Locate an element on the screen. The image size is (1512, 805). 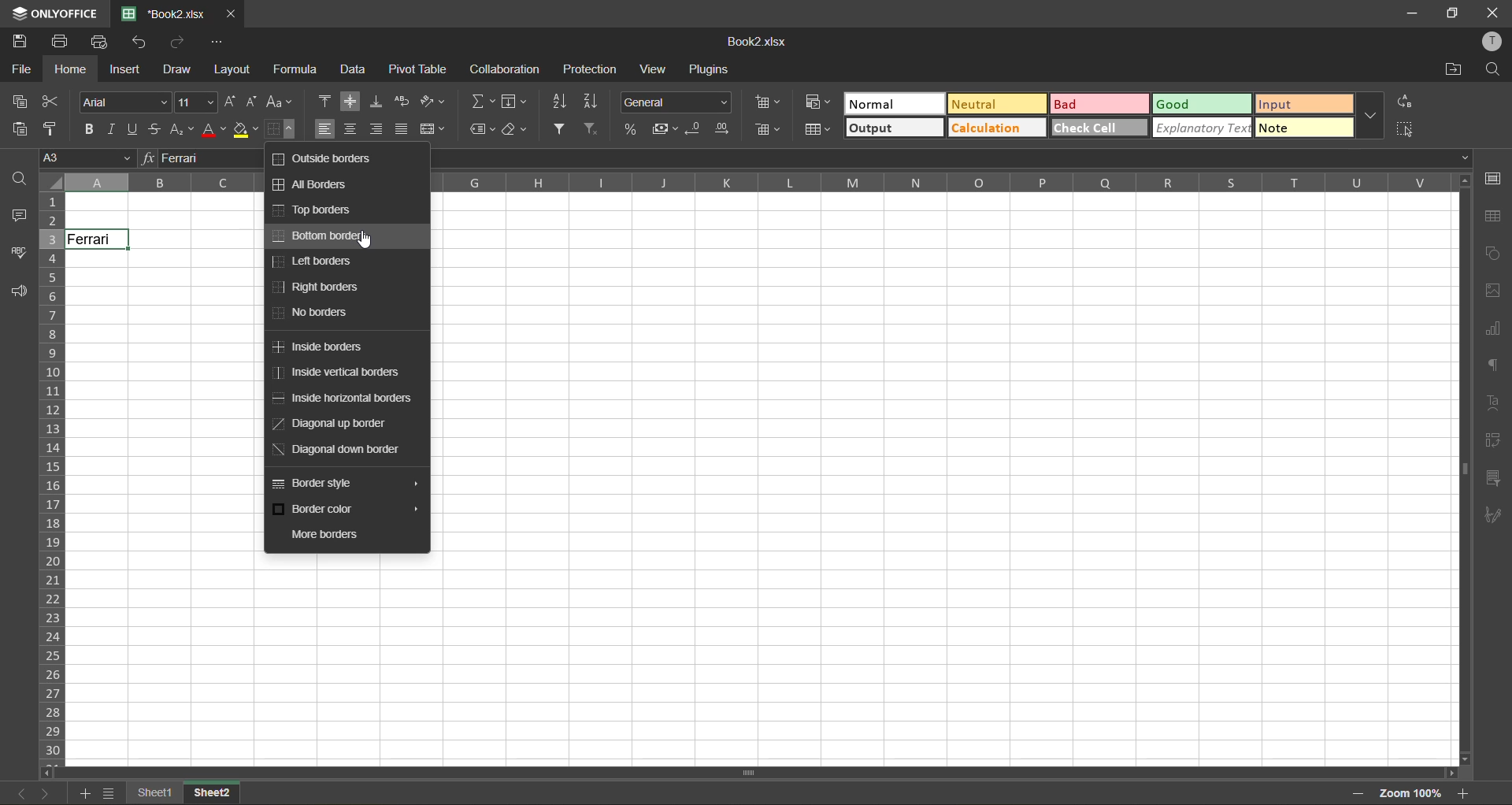
Scrollbar  is located at coordinates (751, 770).